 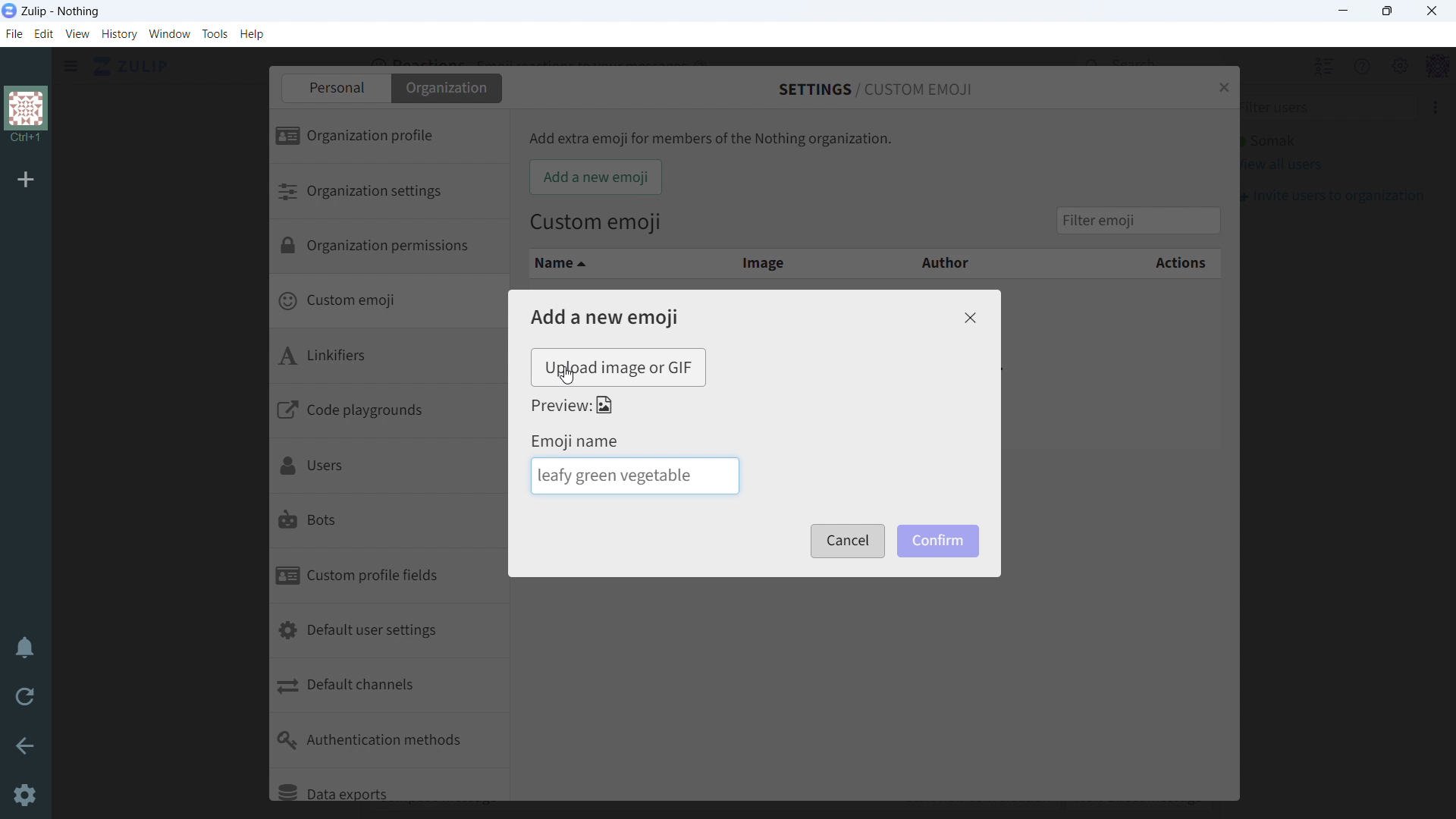 I want to click on organization settings, so click(x=387, y=192).